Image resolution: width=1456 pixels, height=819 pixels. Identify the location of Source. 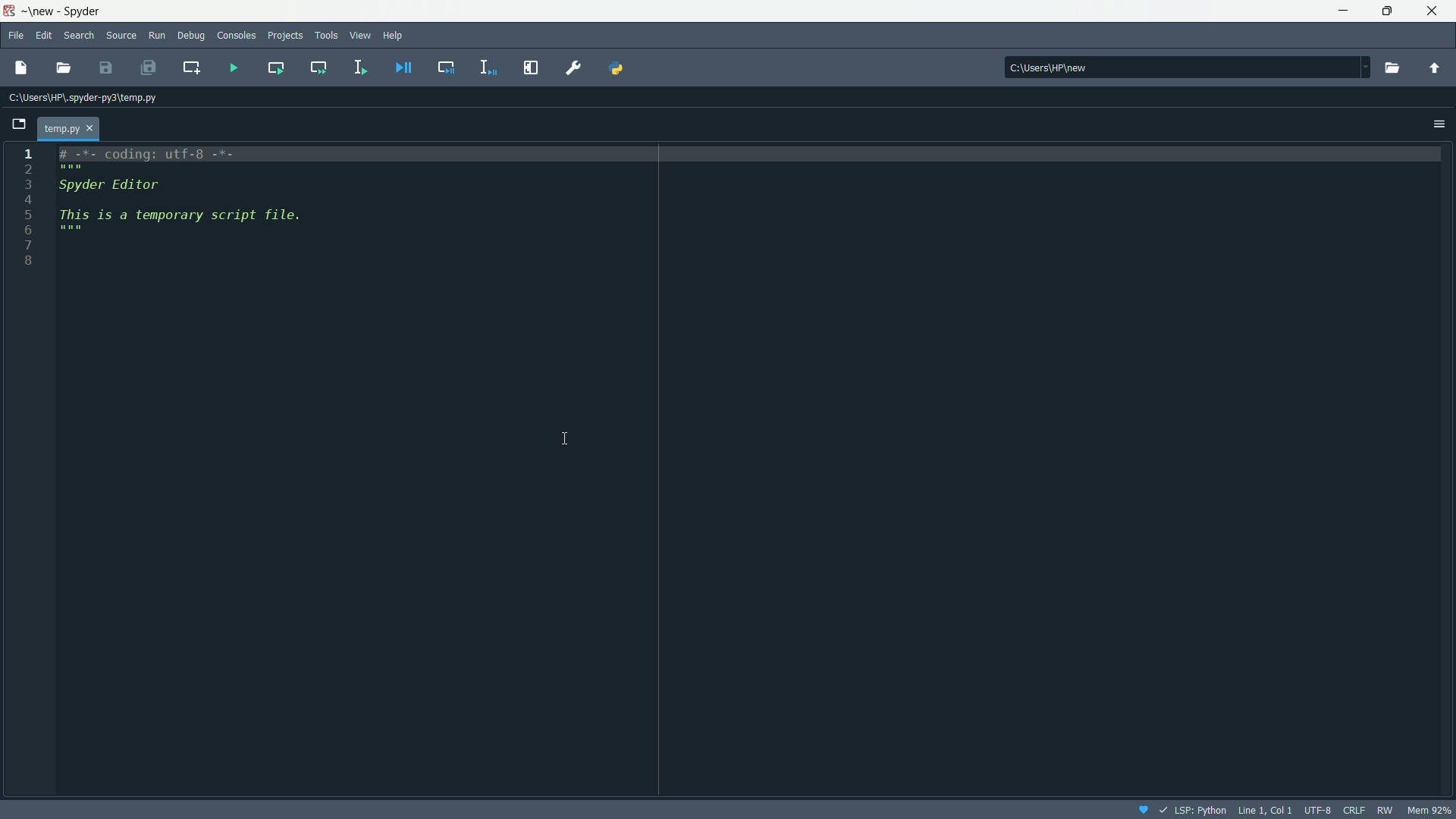
(122, 33).